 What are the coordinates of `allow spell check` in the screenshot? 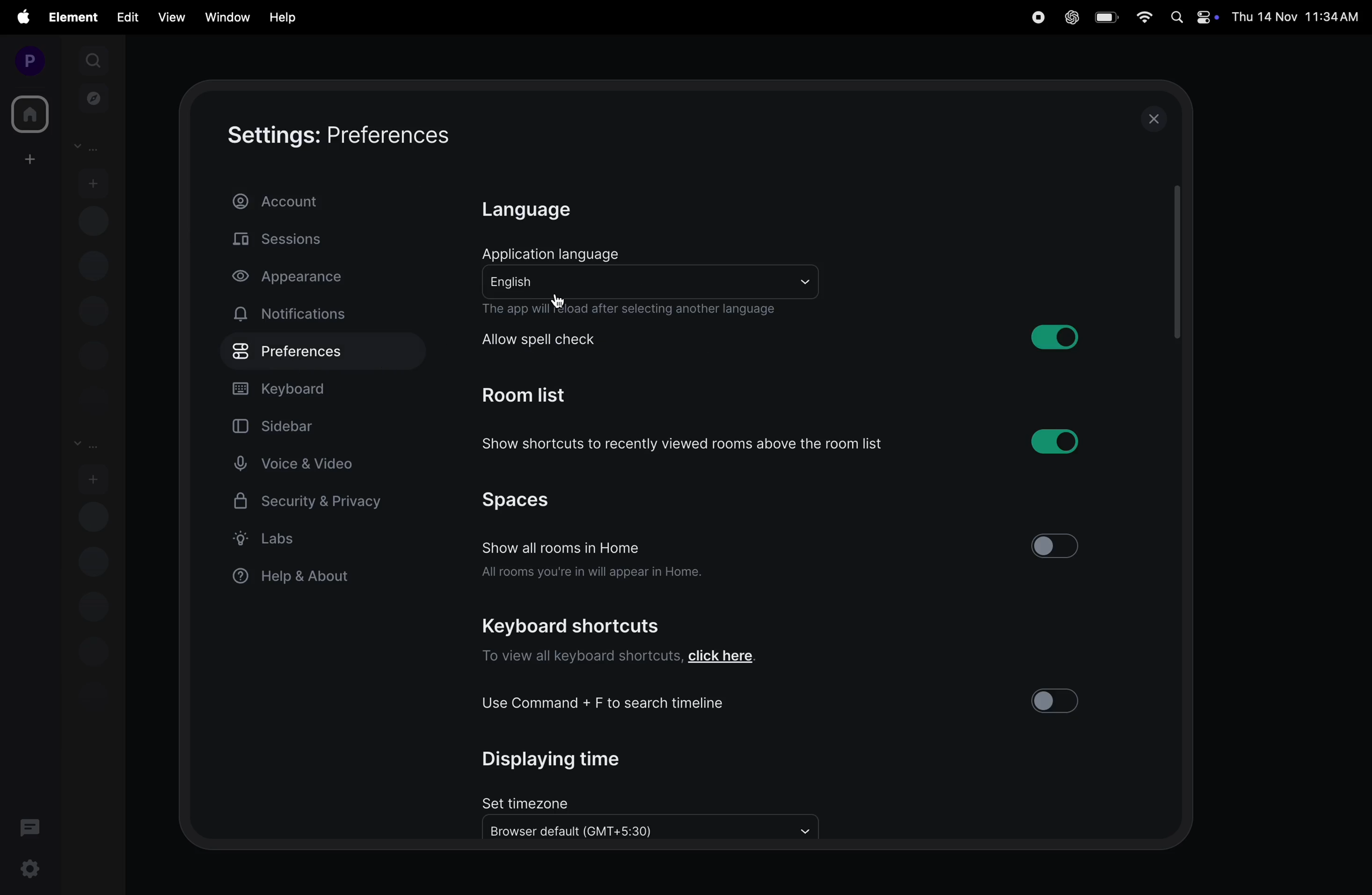 It's located at (571, 343).